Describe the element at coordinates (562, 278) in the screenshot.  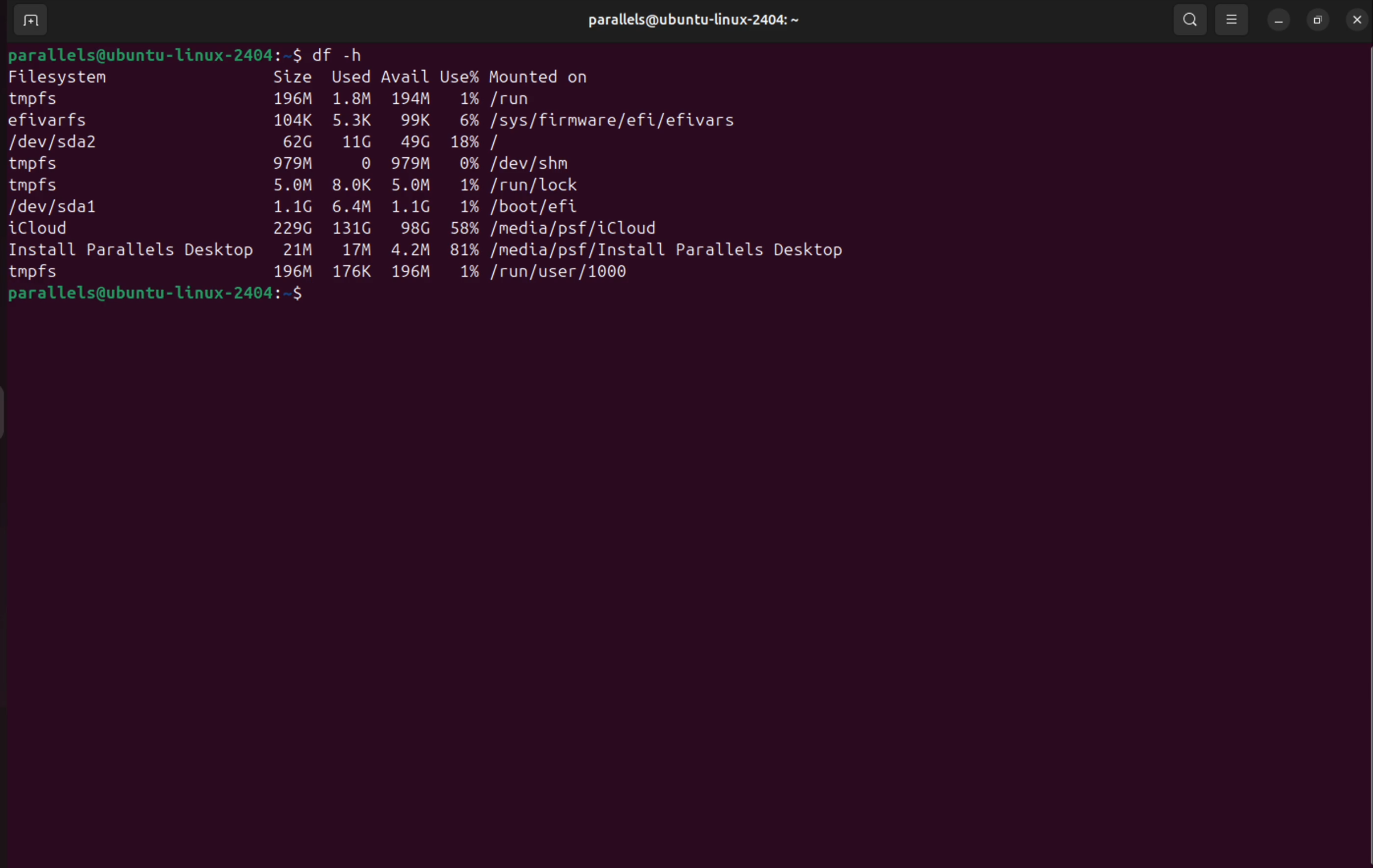
I see `/run/user/1000` at that location.